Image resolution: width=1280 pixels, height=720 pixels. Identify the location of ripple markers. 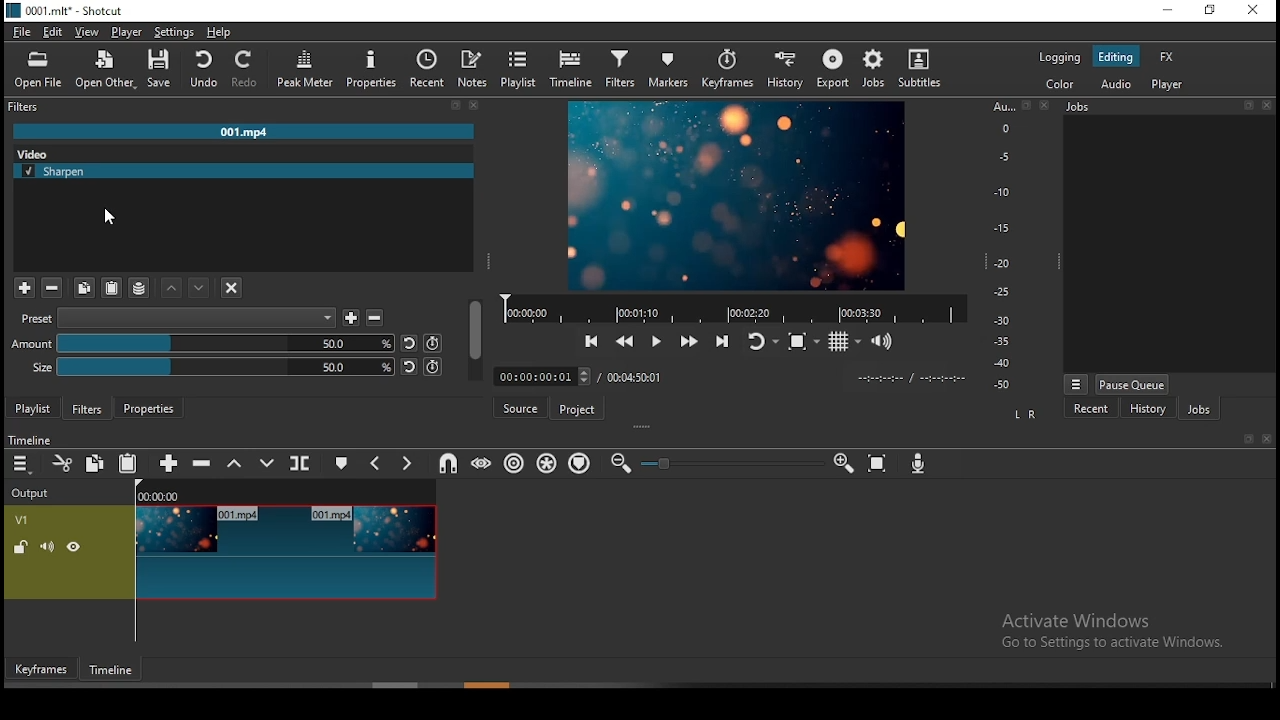
(578, 464).